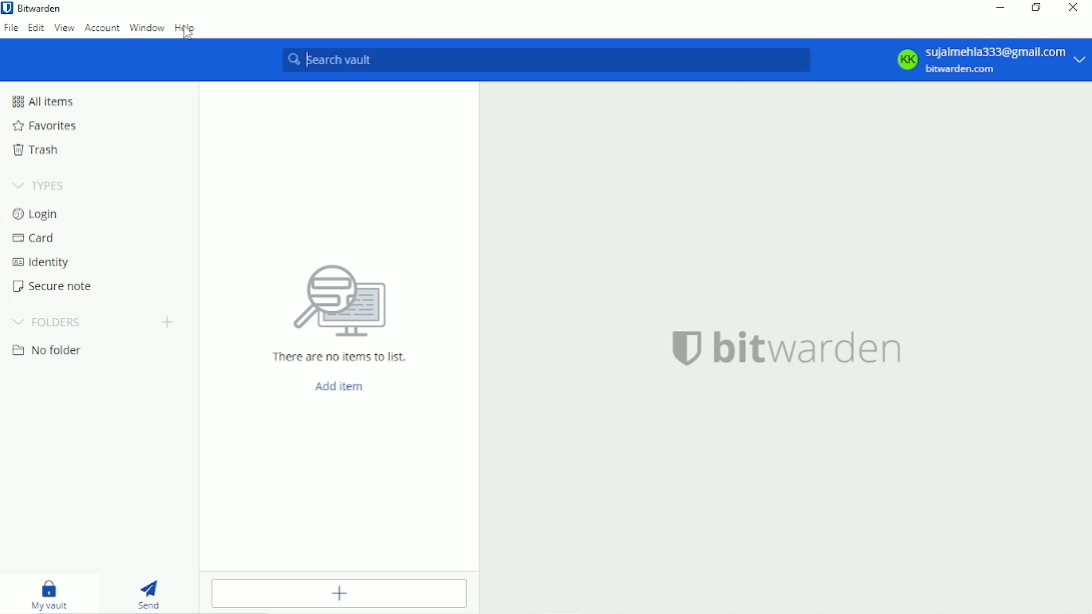 The width and height of the screenshot is (1092, 614). I want to click on Identity, so click(43, 261).